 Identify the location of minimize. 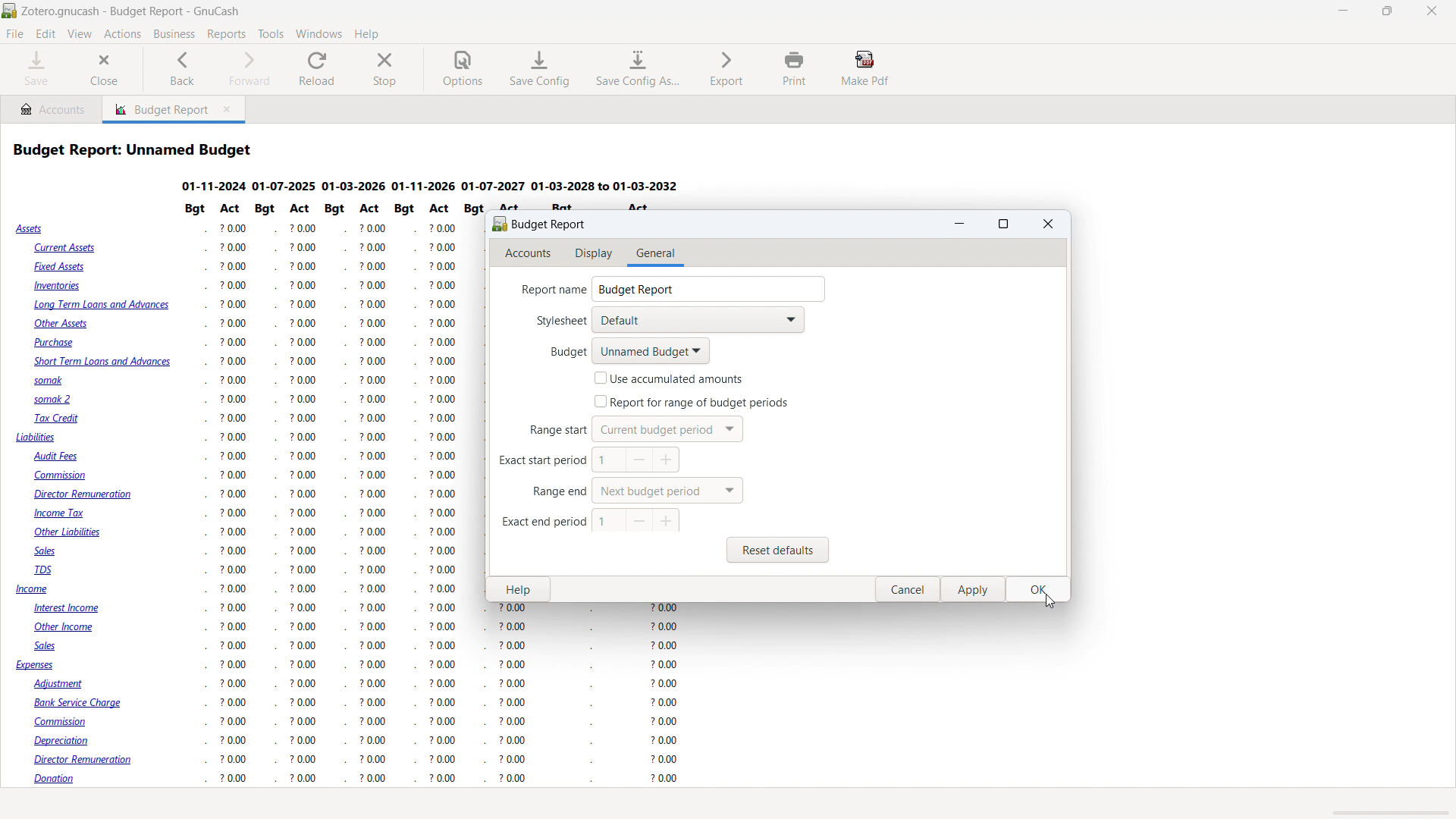
(960, 224).